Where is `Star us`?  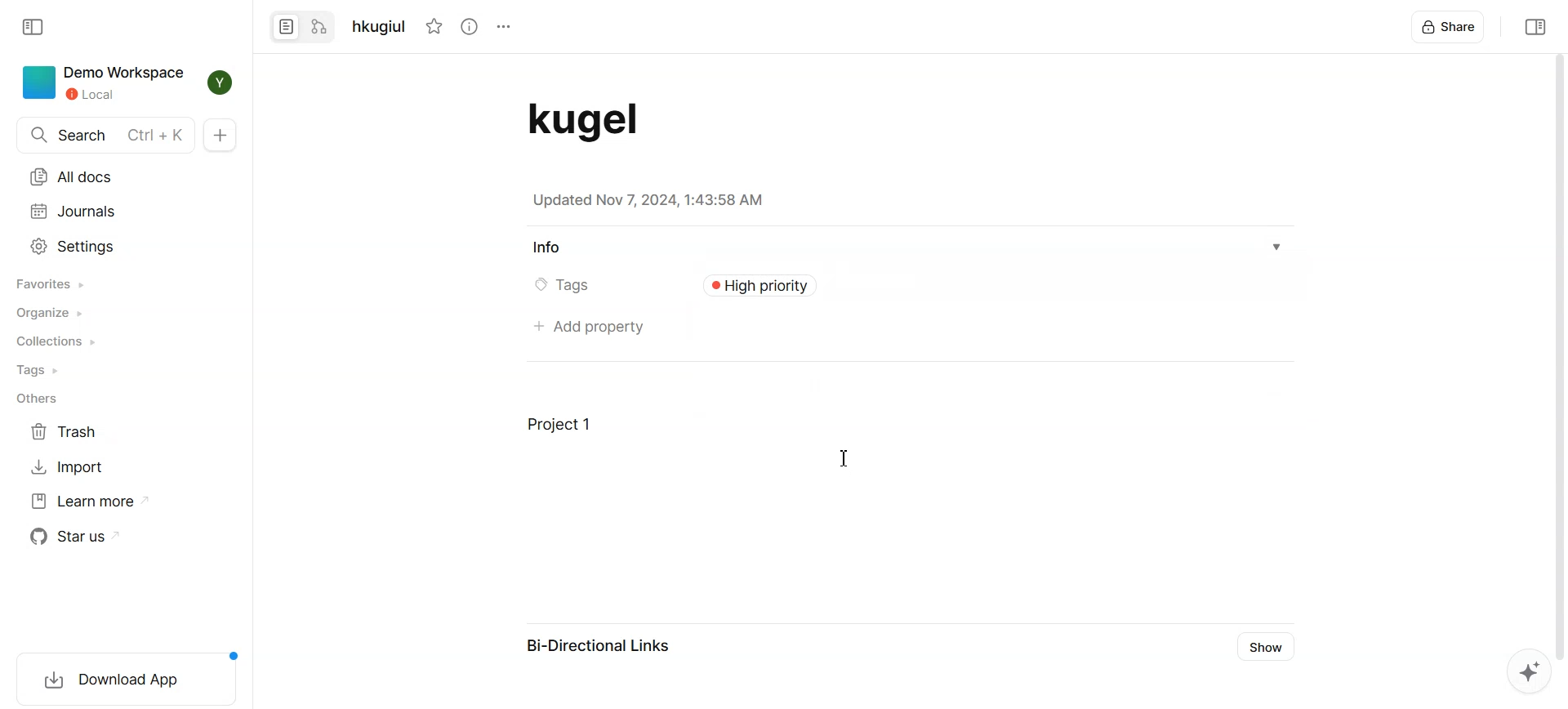 Star us is located at coordinates (83, 536).